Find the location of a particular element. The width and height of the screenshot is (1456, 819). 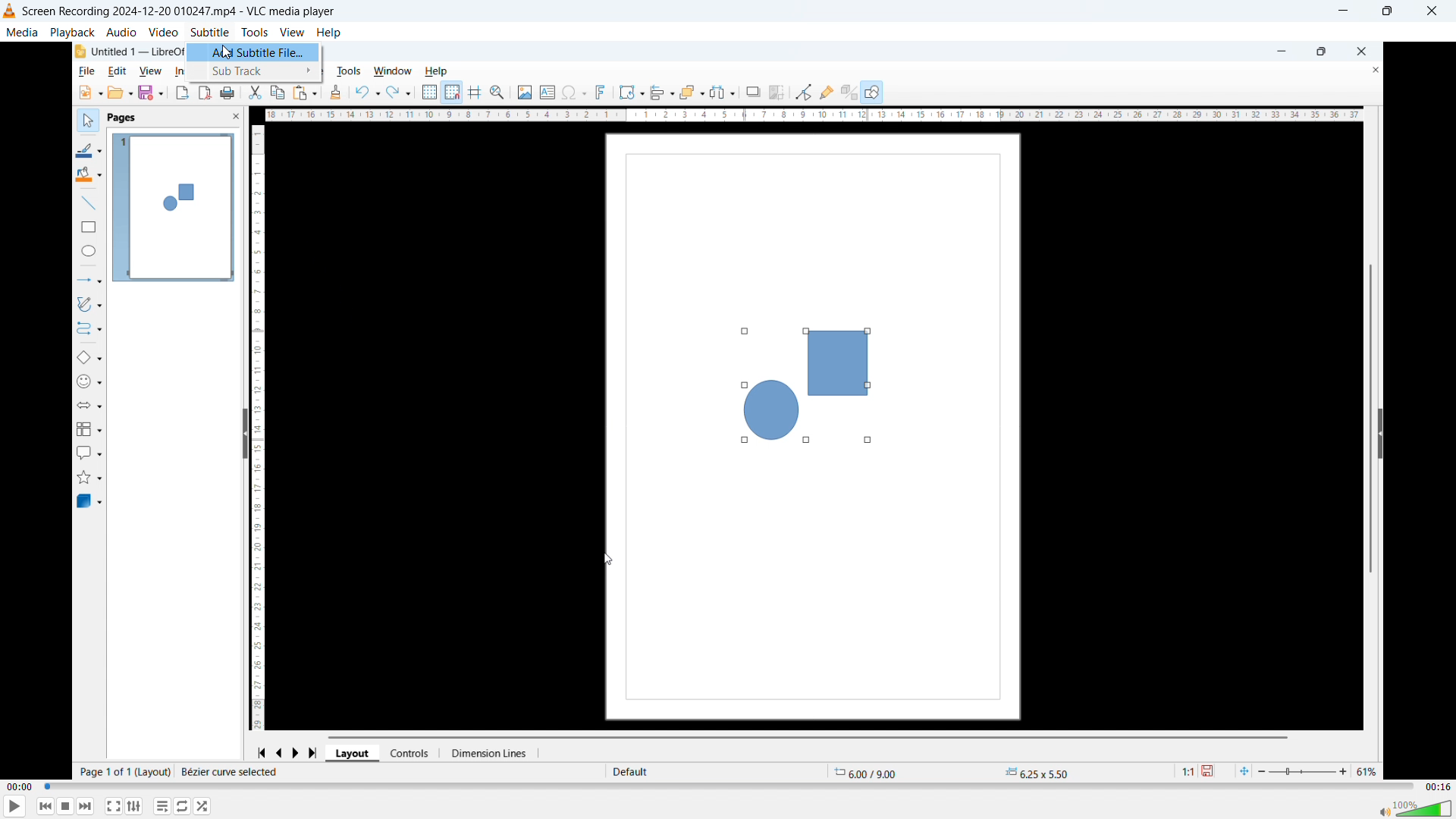

show draw function is located at coordinates (872, 91).